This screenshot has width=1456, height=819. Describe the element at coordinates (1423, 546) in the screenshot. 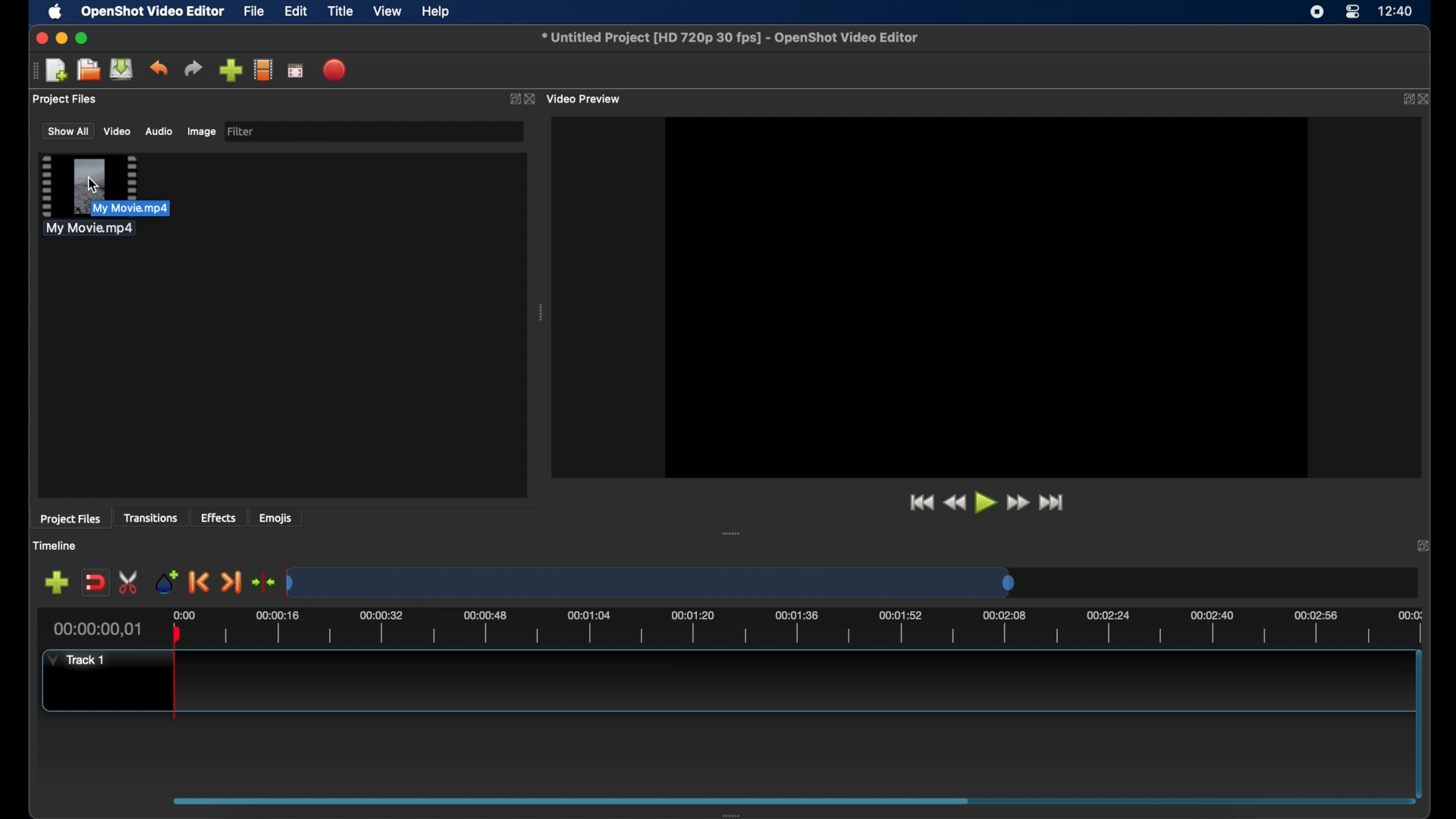

I see `expand` at that location.